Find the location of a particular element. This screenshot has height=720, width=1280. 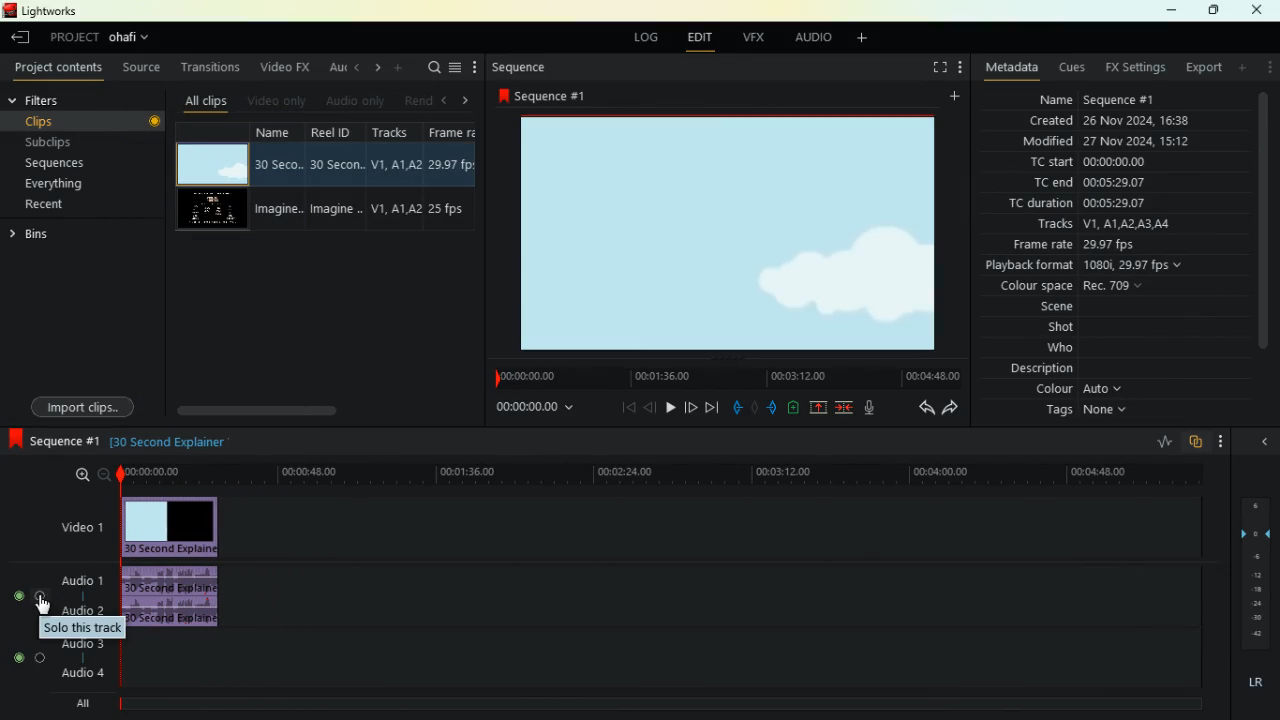

time is located at coordinates (532, 410).